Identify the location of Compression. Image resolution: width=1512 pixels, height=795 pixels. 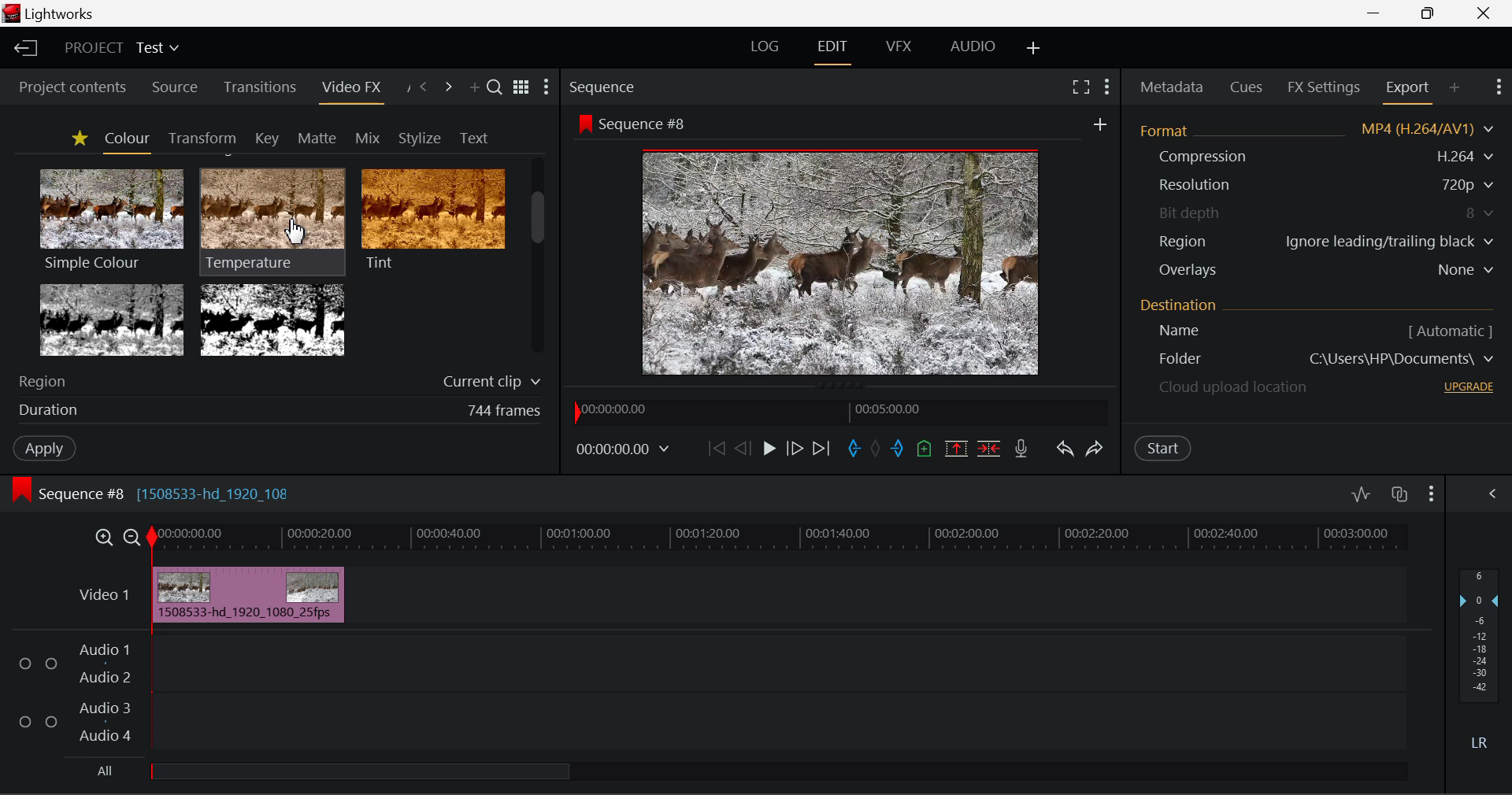
(1200, 157).